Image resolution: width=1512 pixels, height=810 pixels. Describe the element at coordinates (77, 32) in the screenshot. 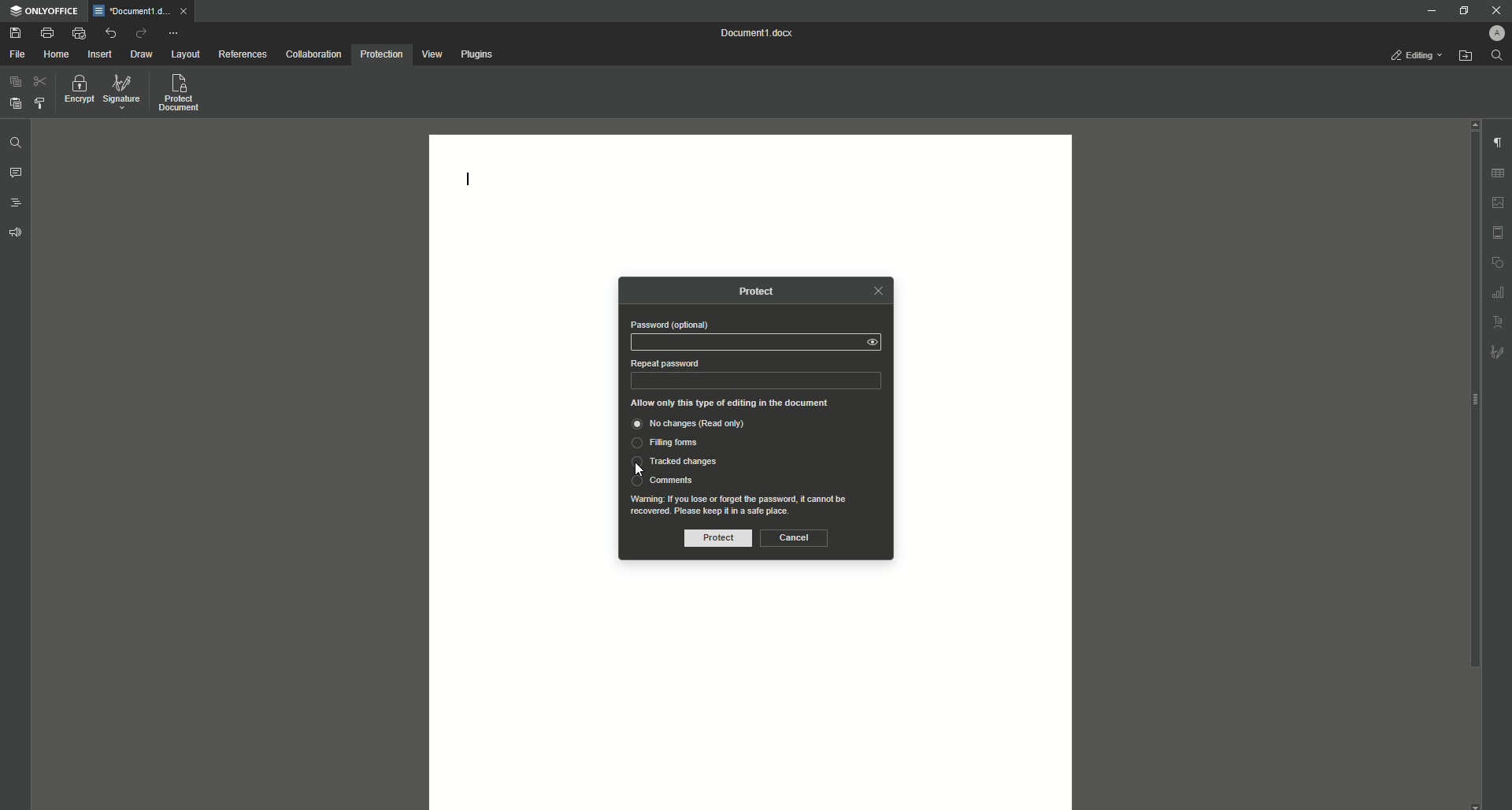

I see `Quick print` at that location.